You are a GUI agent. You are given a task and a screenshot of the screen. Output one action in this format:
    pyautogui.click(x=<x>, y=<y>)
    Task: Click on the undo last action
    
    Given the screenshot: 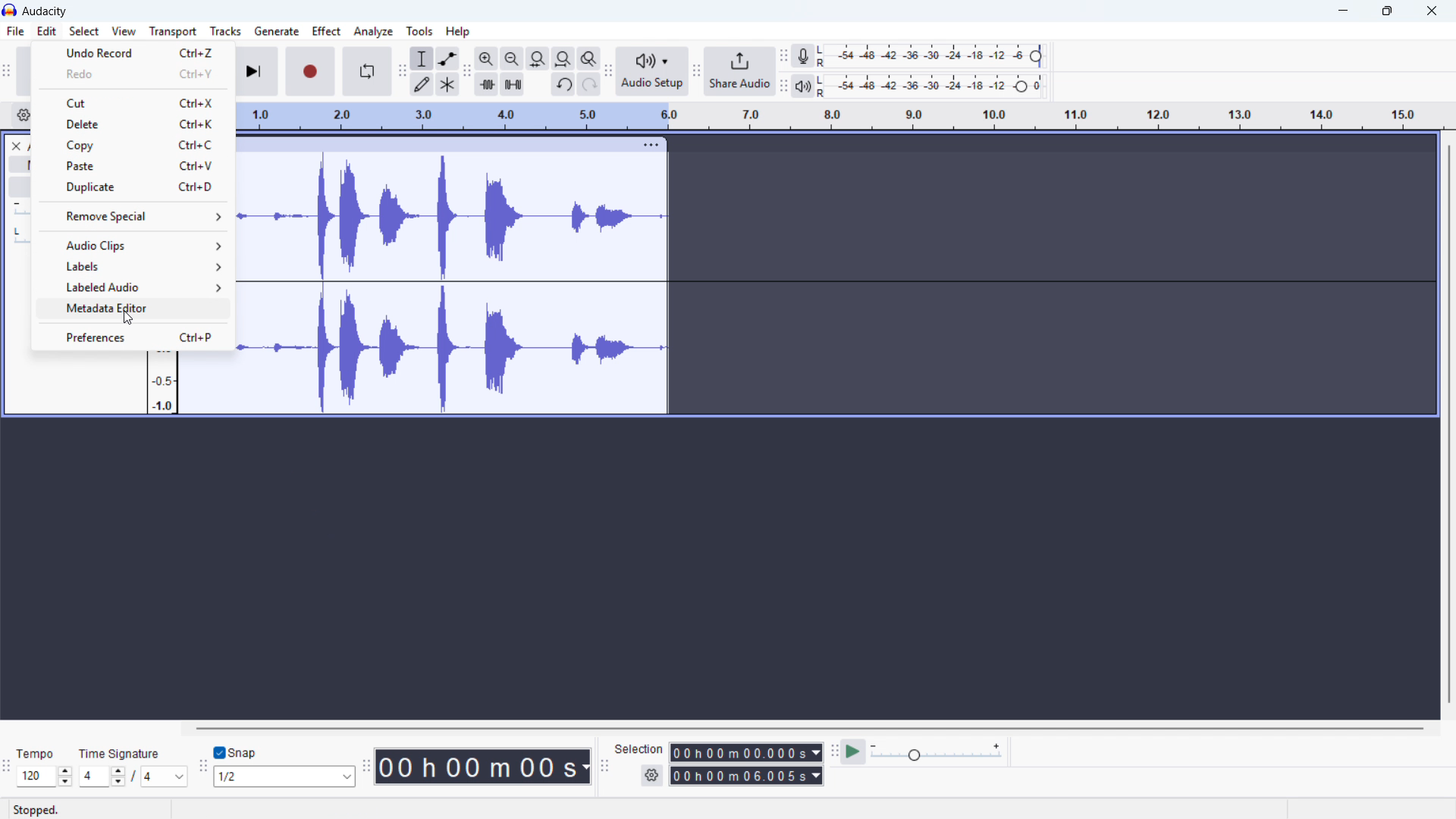 What is the action you would take?
    pyautogui.click(x=133, y=52)
    